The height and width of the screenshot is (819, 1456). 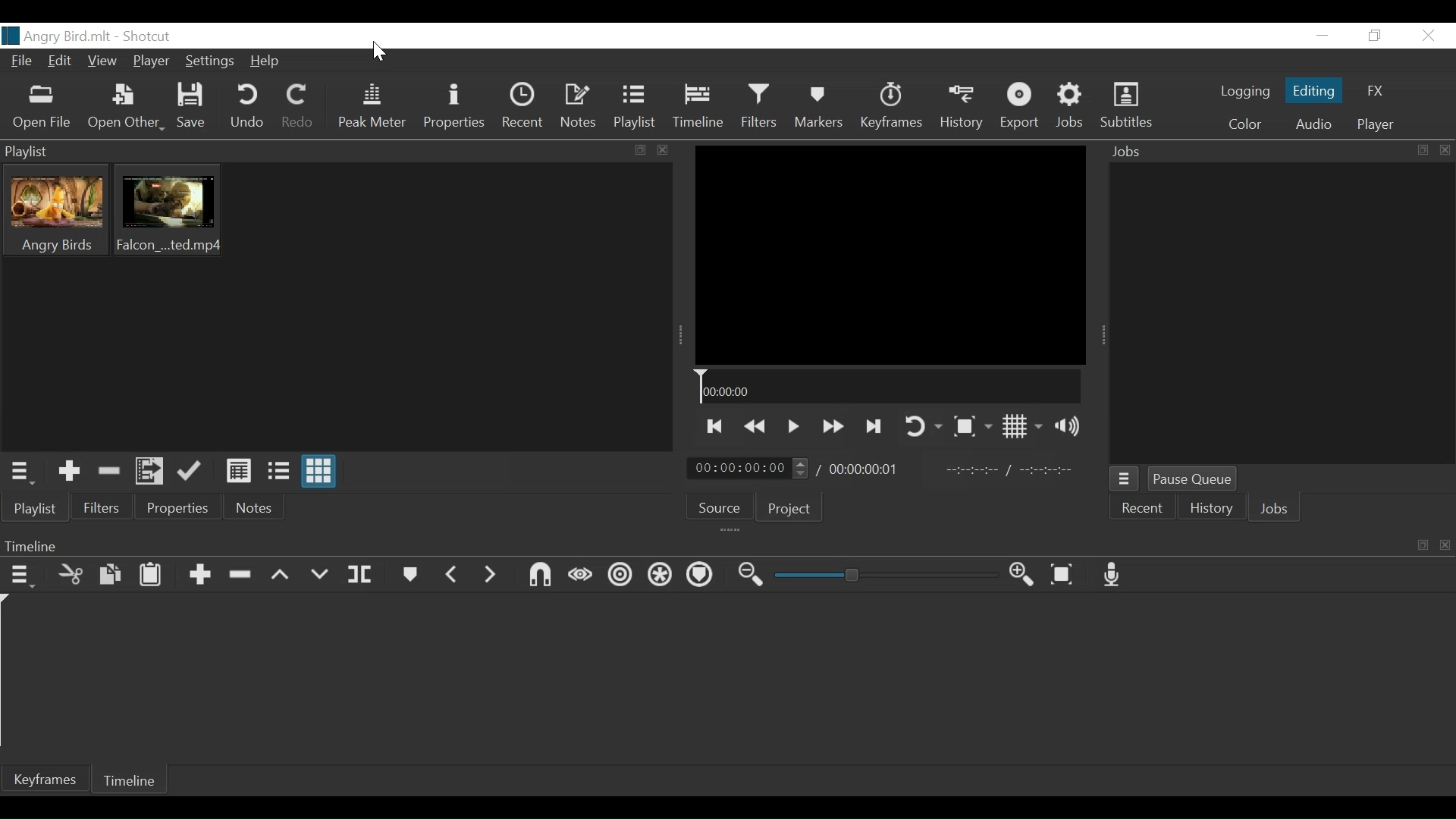 I want to click on Jobs, so click(x=1272, y=510).